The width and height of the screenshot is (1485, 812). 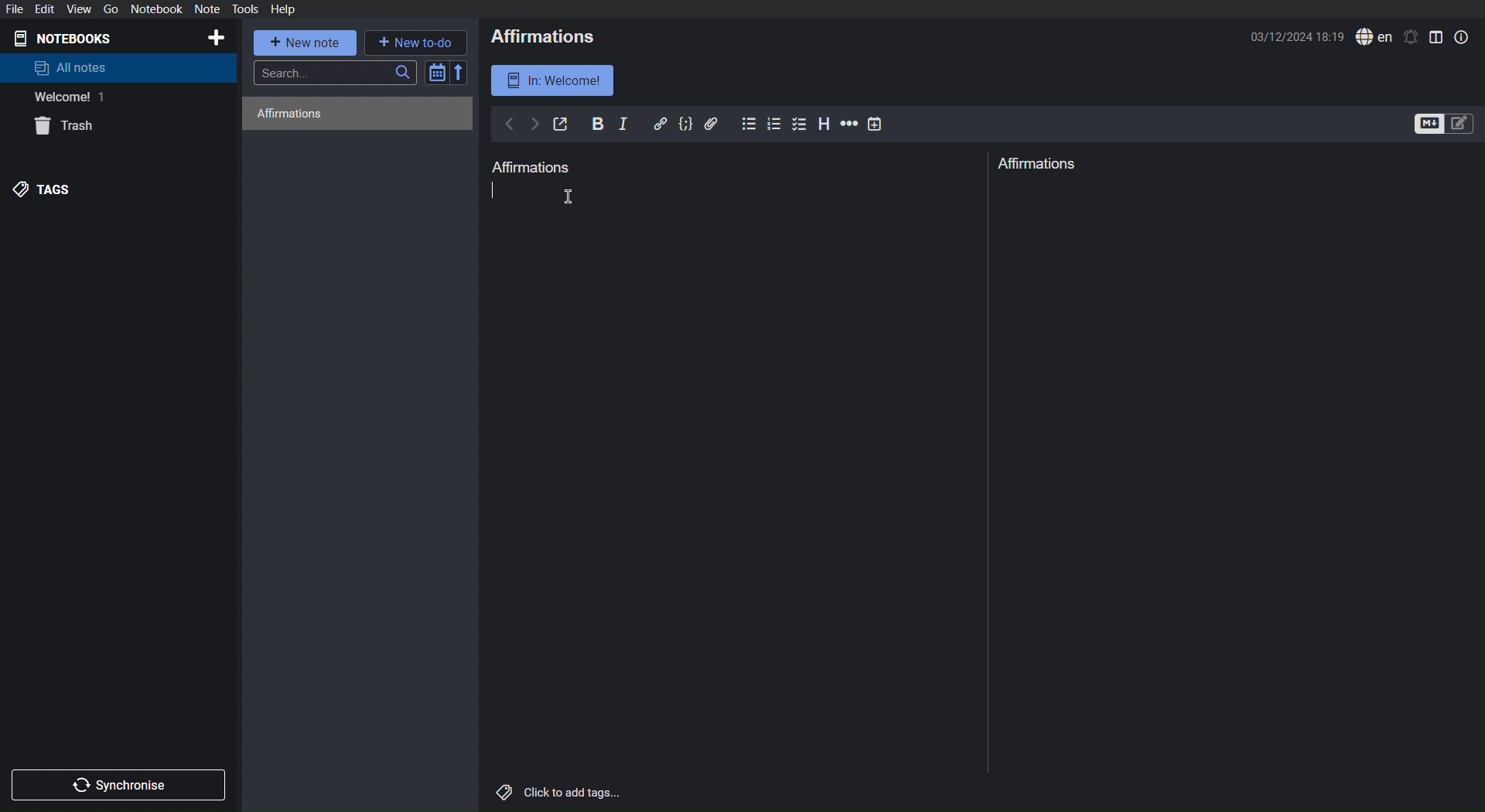 What do you see at coordinates (17, 9) in the screenshot?
I see `File` at bounding box center [17, 9].